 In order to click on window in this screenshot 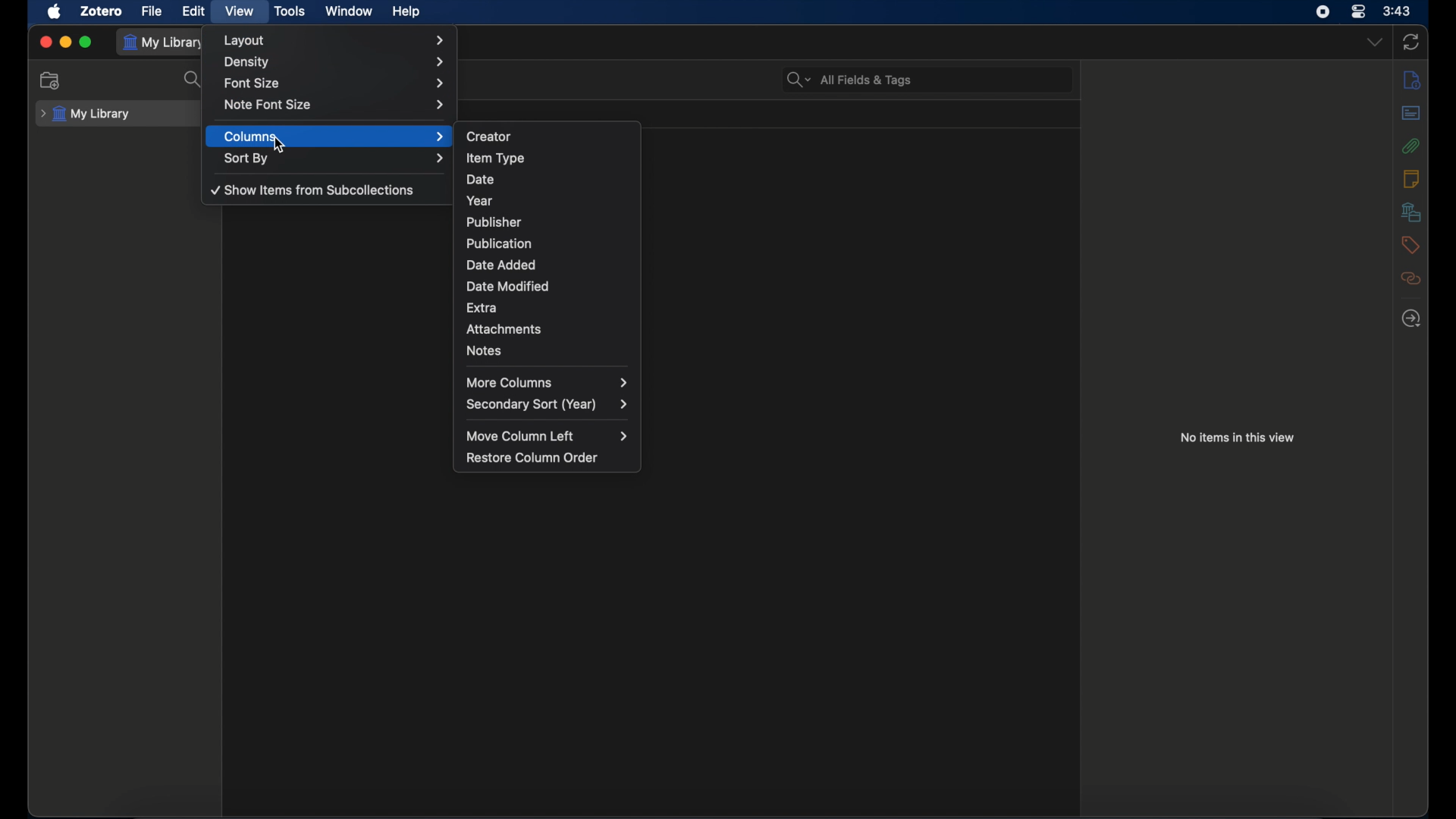, I will do `click(347, 11)`.